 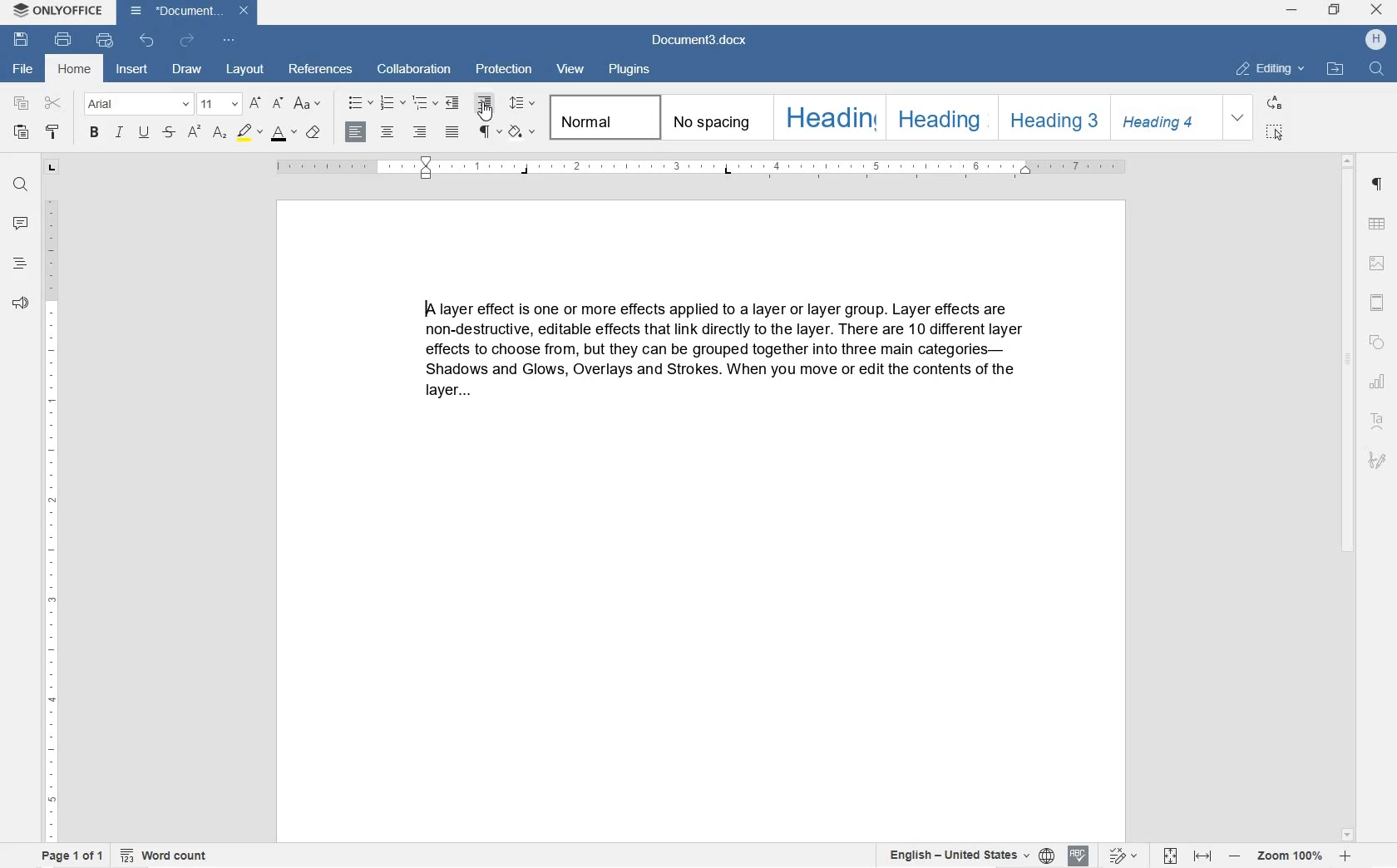 What do you see at coordinates (359, 103) in the screenshot?
I see `BULLETS` at bounding box center [359, 103].